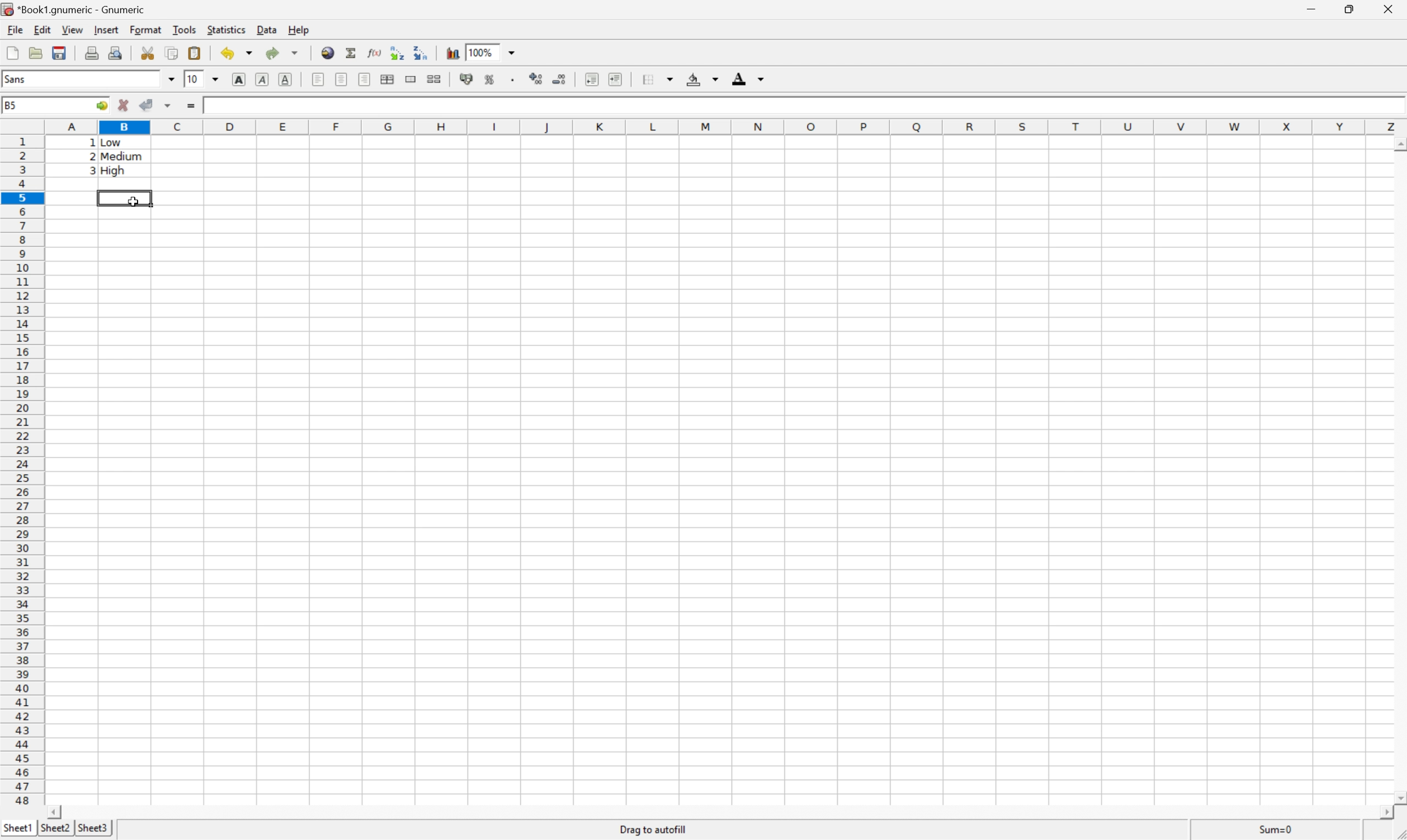 The width and height of the screenshot is (1407, 840). Describe the element at coordinates (488, 80) in the screenshot. I see `Format the selection as percentage` at that location.